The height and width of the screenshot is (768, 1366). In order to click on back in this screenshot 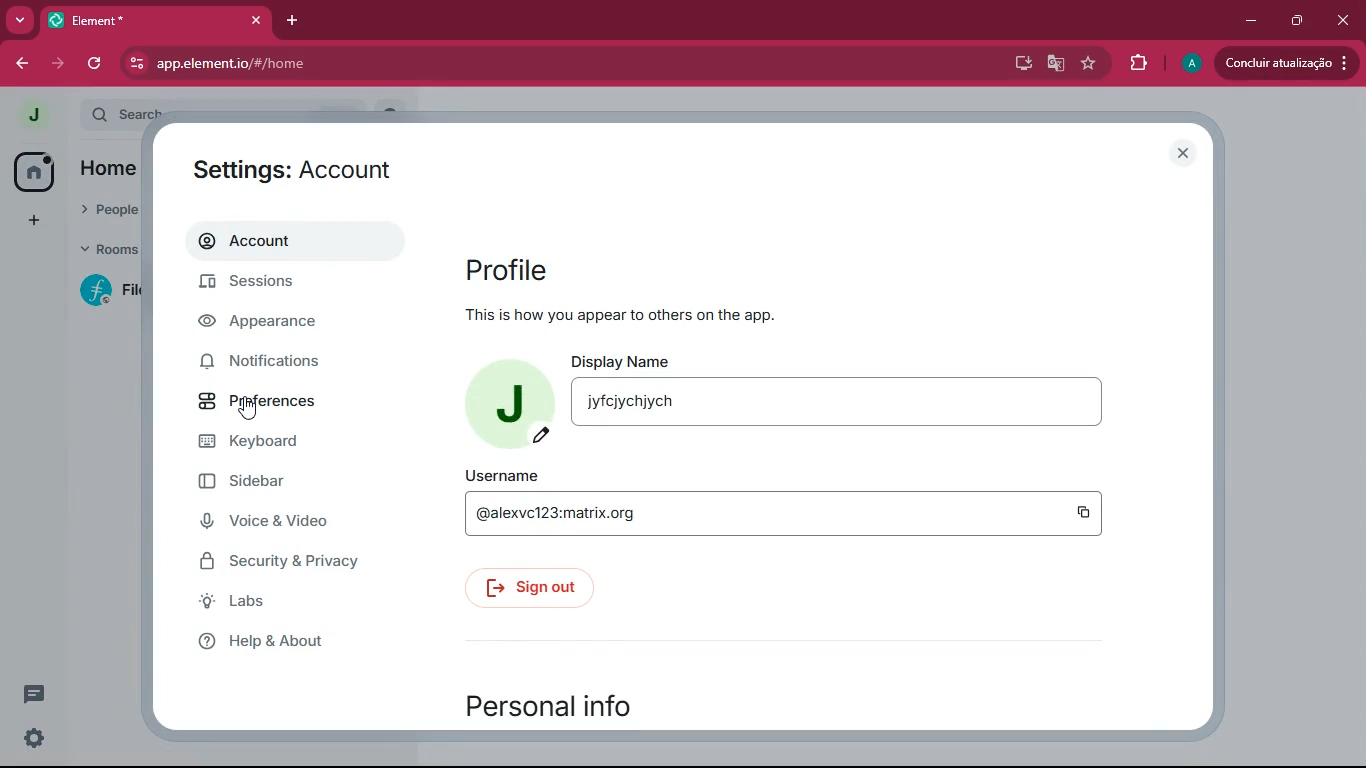, I will do `click(23, 64)`.